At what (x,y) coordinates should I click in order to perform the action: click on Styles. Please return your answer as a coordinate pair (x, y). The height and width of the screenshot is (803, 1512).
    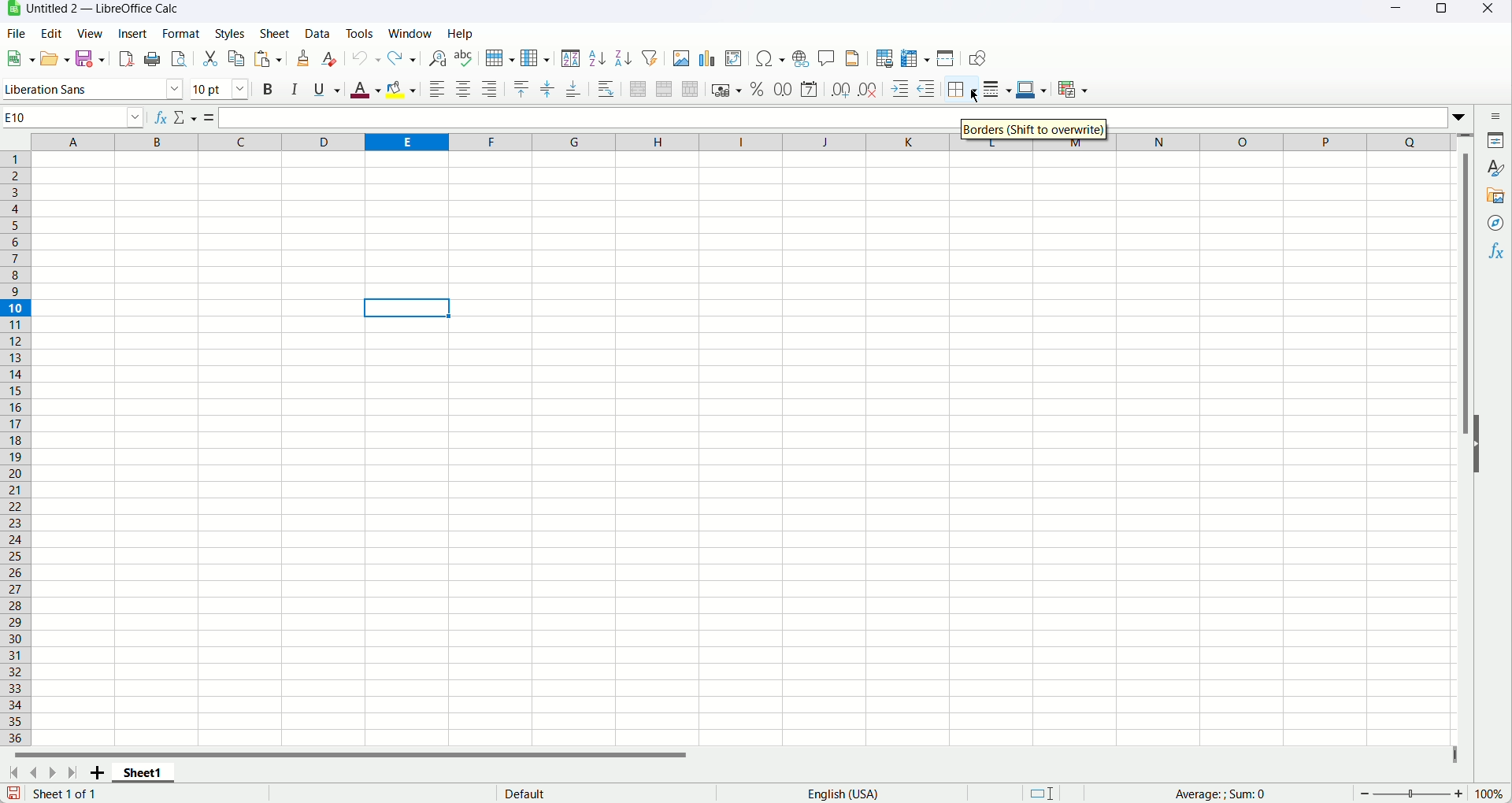
    Looking at the image, I should click on (234, 32).